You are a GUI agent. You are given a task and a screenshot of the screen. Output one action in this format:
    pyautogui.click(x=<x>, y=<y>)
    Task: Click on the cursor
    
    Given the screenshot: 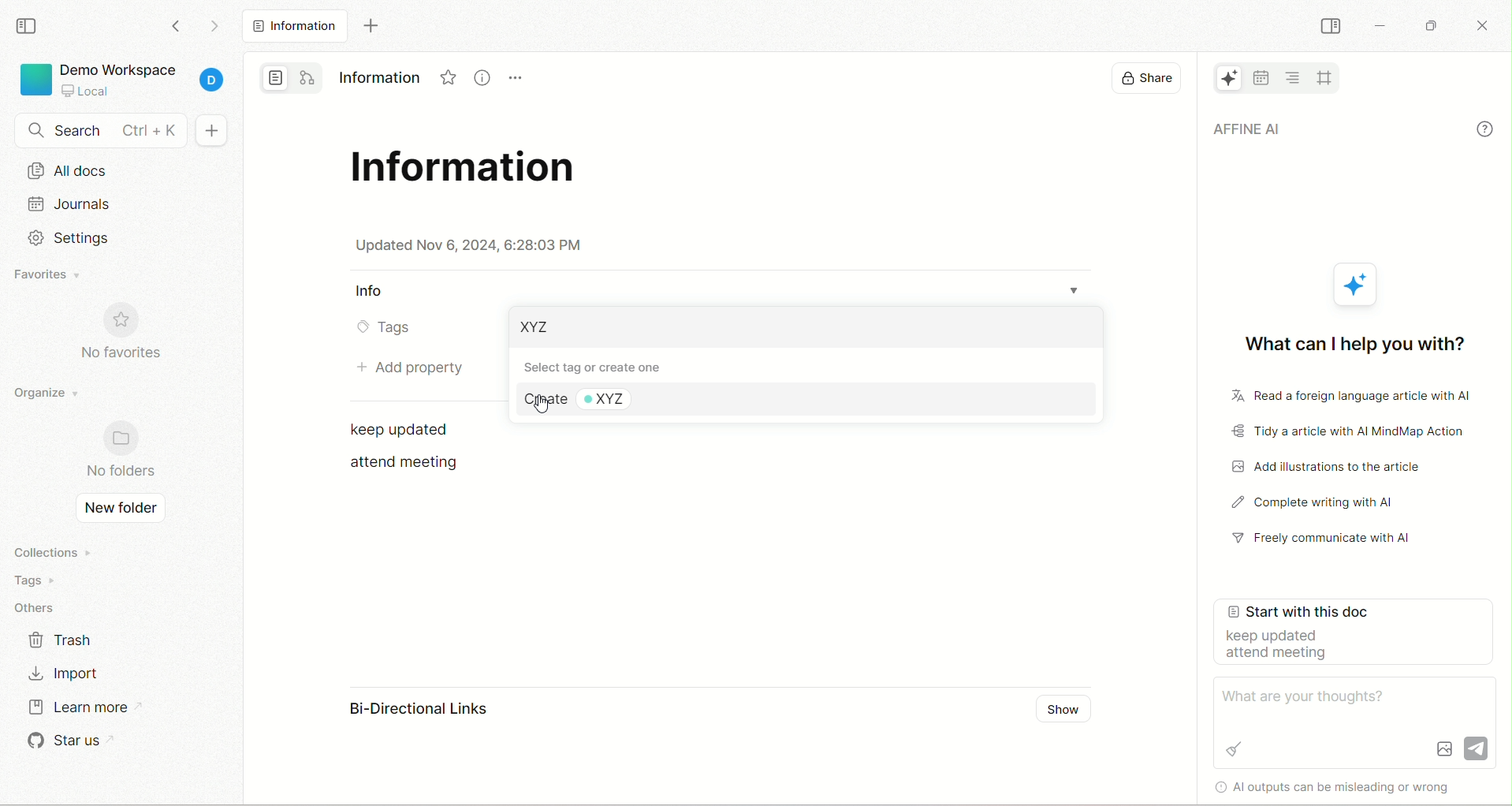 What is the action you would take?
    pyautogui.click(x=541, y=406)
    